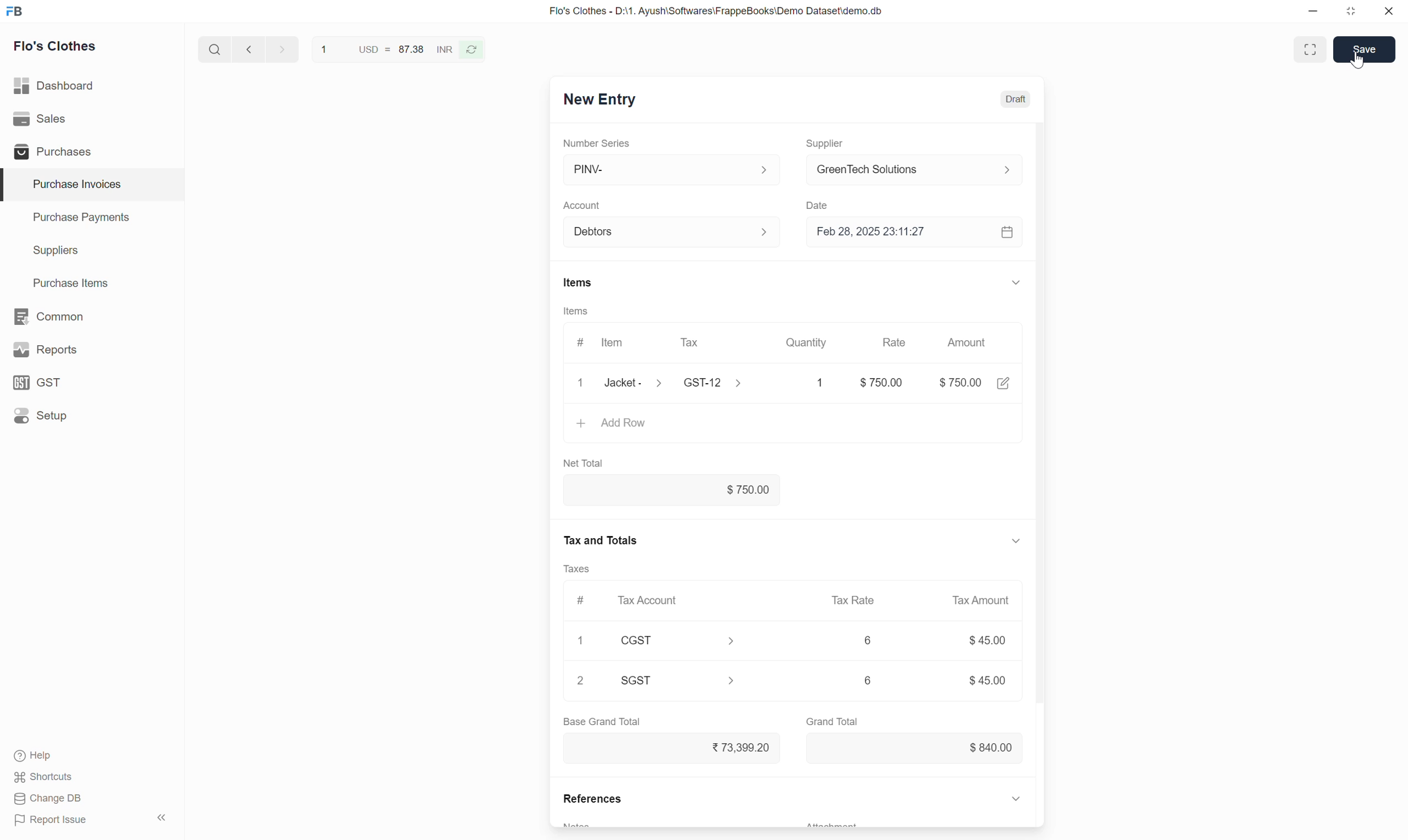 Image resolution: width=1408 pixels, height=840 pixels. What do you see at coordinates (92, 316) in the screenshot?
I see `Common` at bounding box center [92, 316].